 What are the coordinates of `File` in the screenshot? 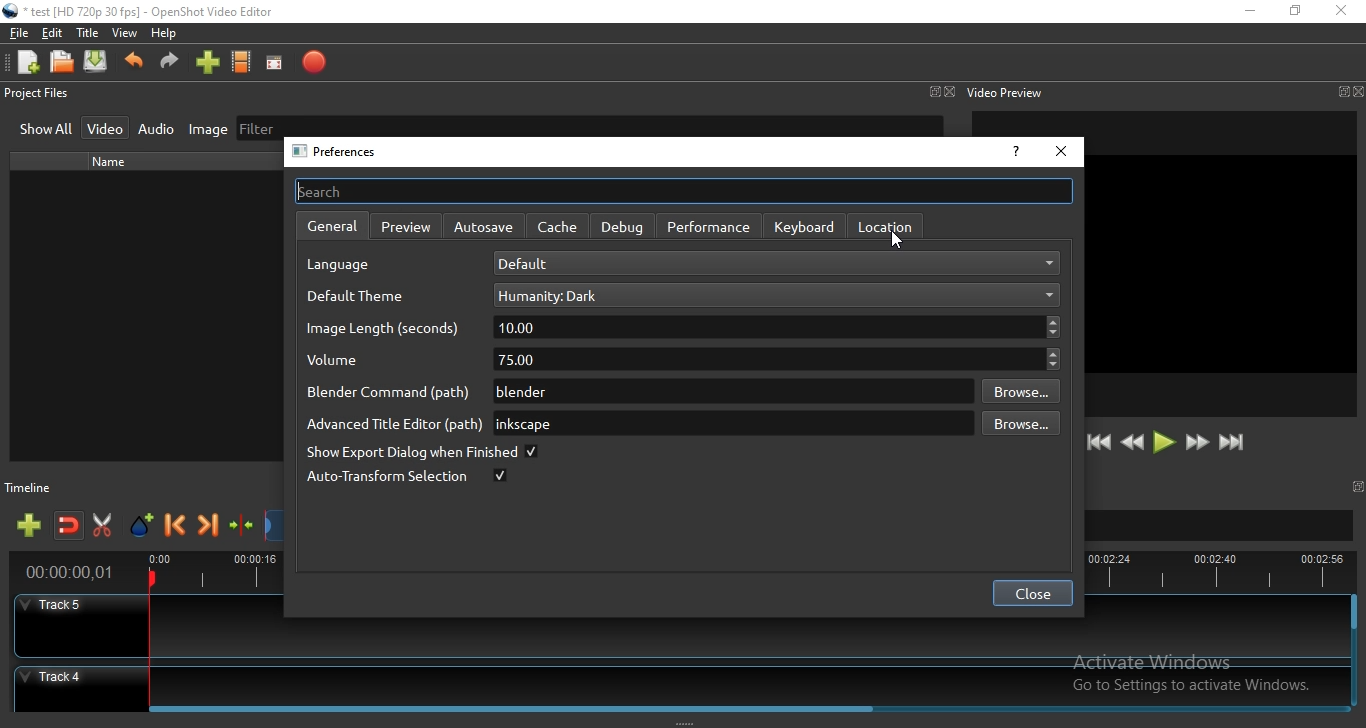 It's located at (16, 33).